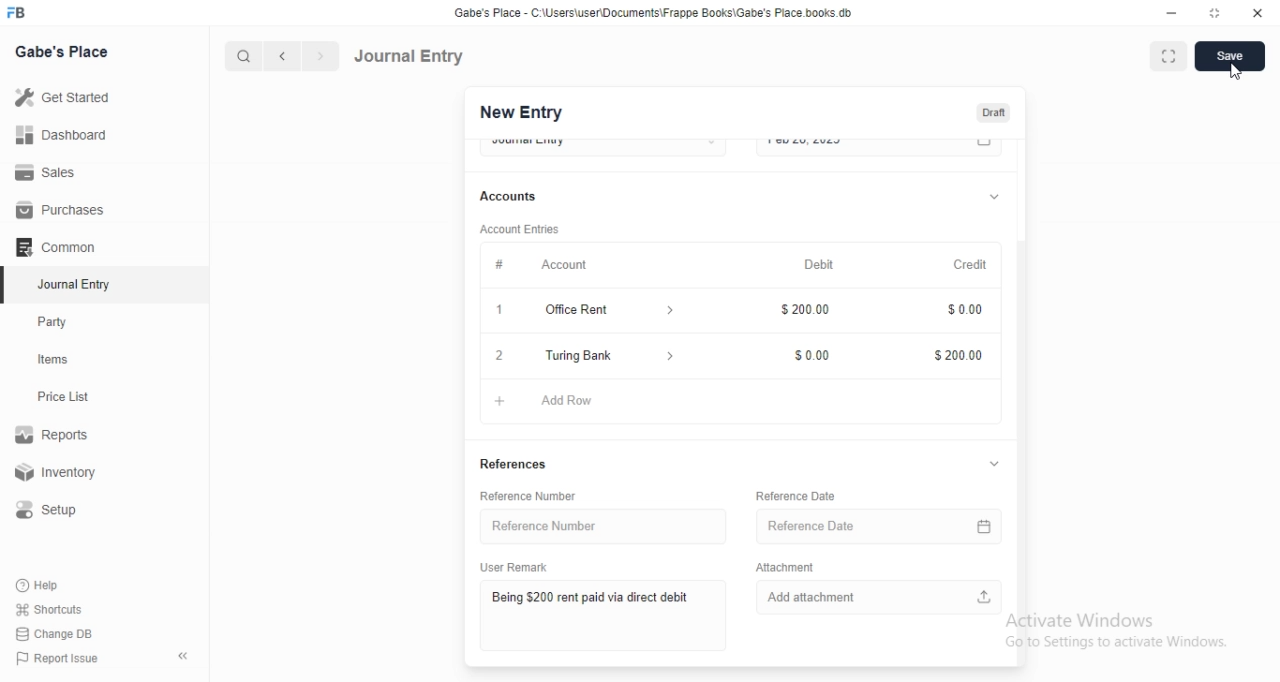  Describe the element at coordinates (541, 496) in the screenshot. I see `Reference Number` at that location.